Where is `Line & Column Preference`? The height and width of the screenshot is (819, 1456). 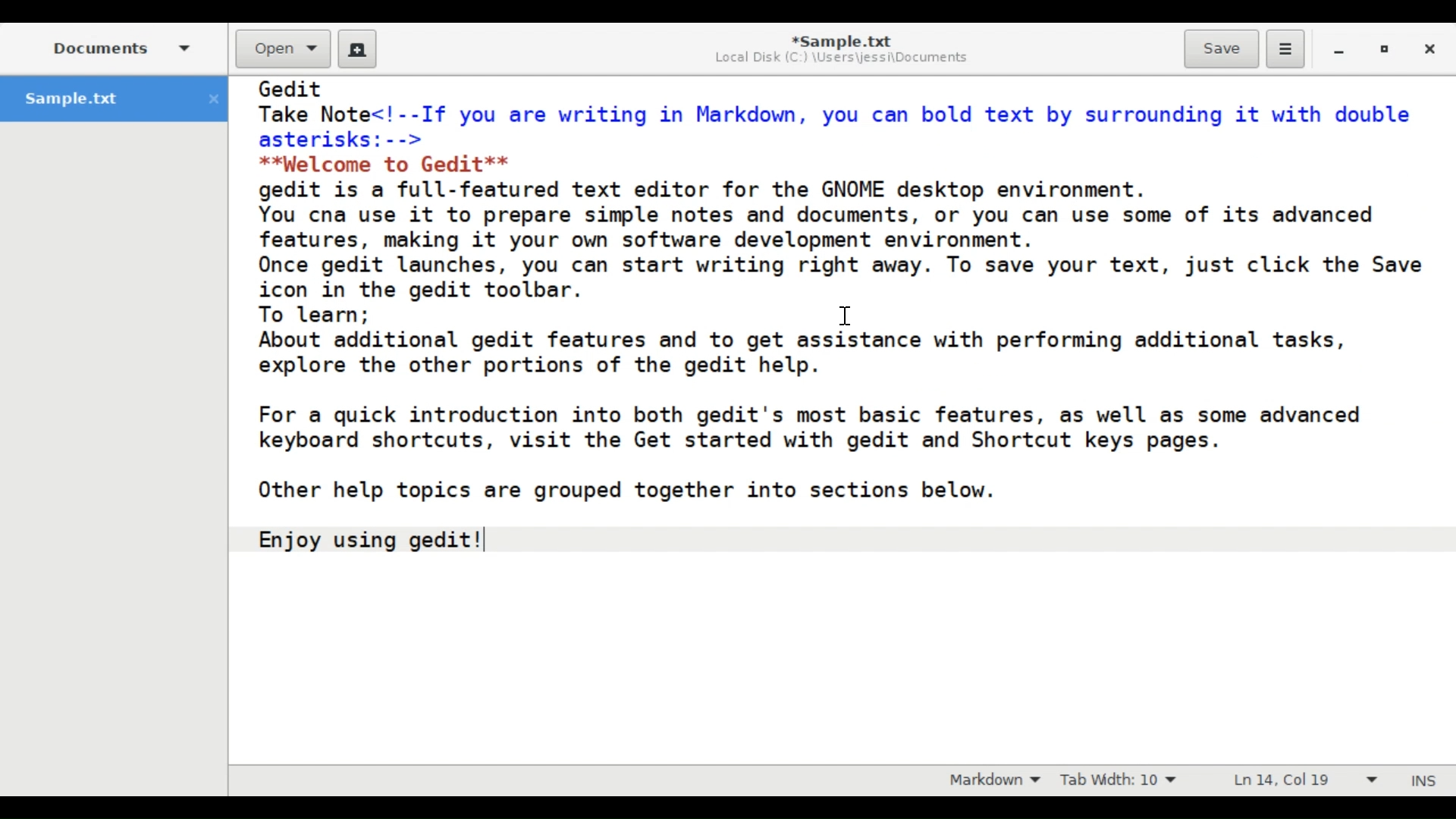 Line & Column Preference is located at coordinates (1307, 780).